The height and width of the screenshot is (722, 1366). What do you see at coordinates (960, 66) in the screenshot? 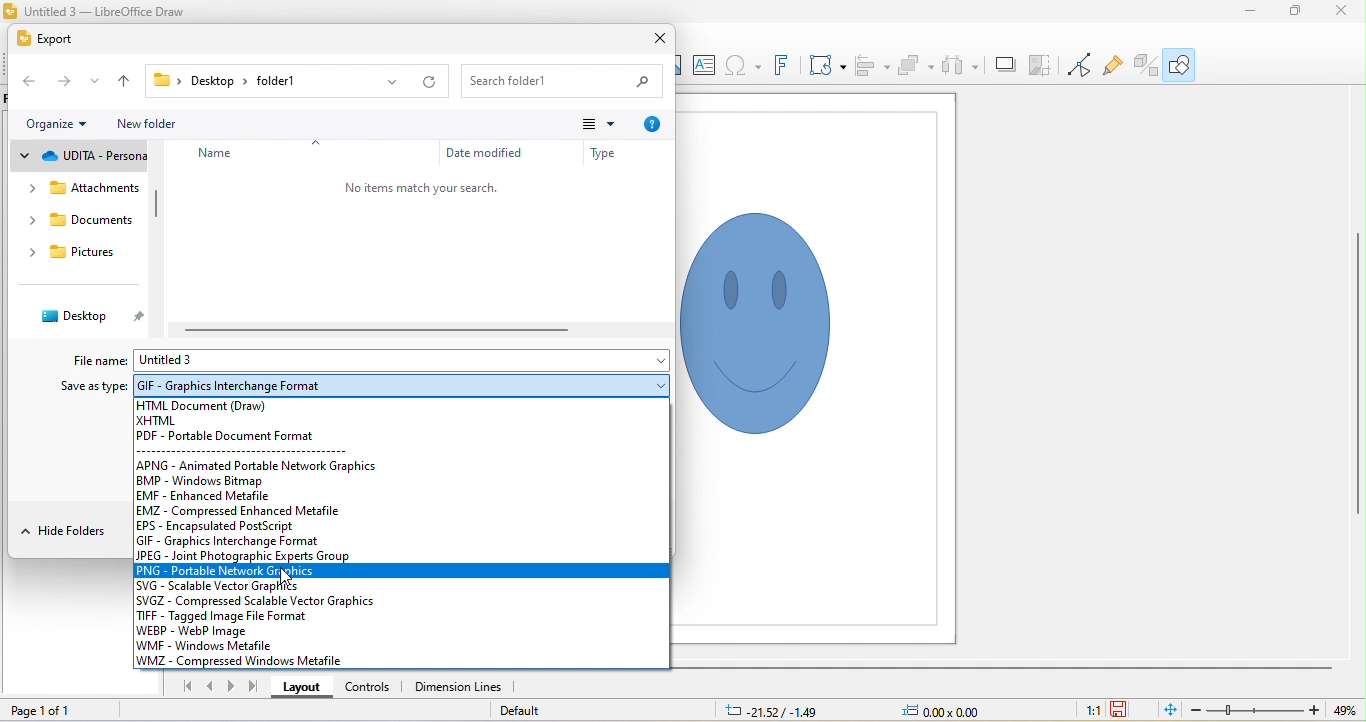
I see `select atleast three objects to attribute` at bounding box center [960, 66].